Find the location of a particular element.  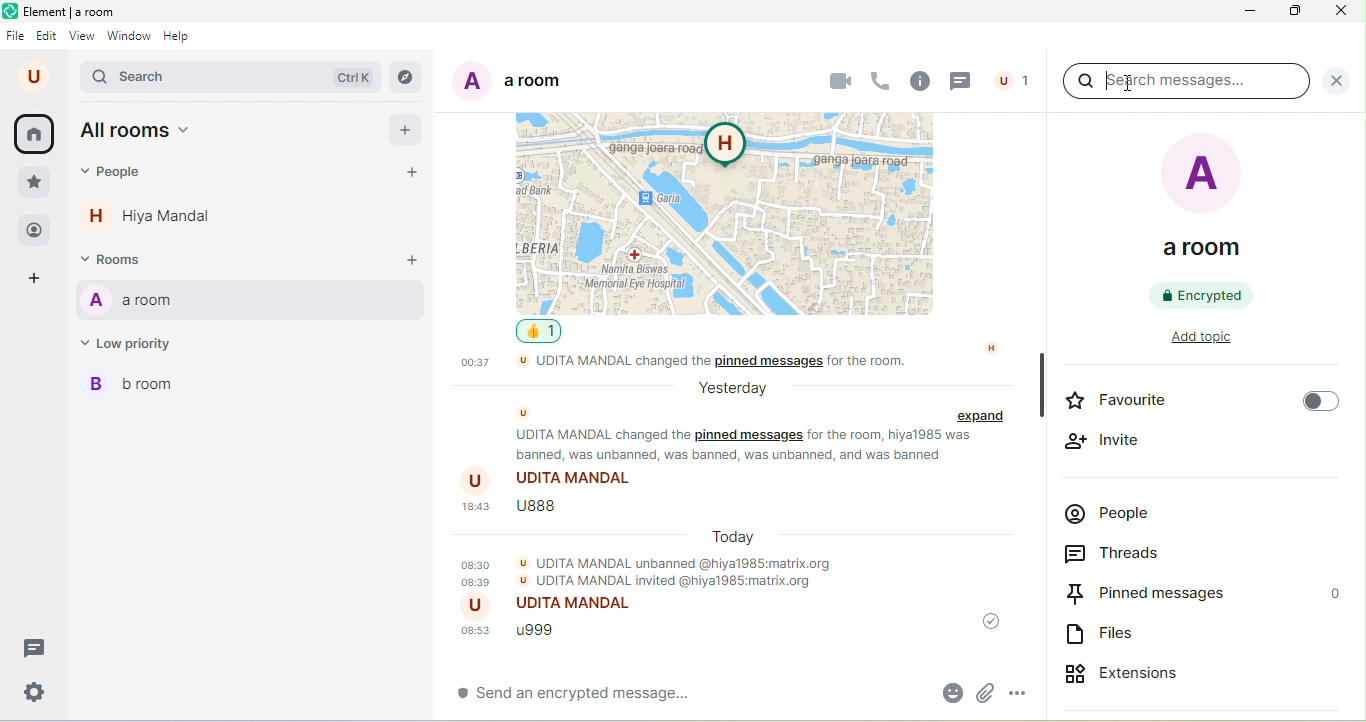

u999 is located at coordinates (520, 632).